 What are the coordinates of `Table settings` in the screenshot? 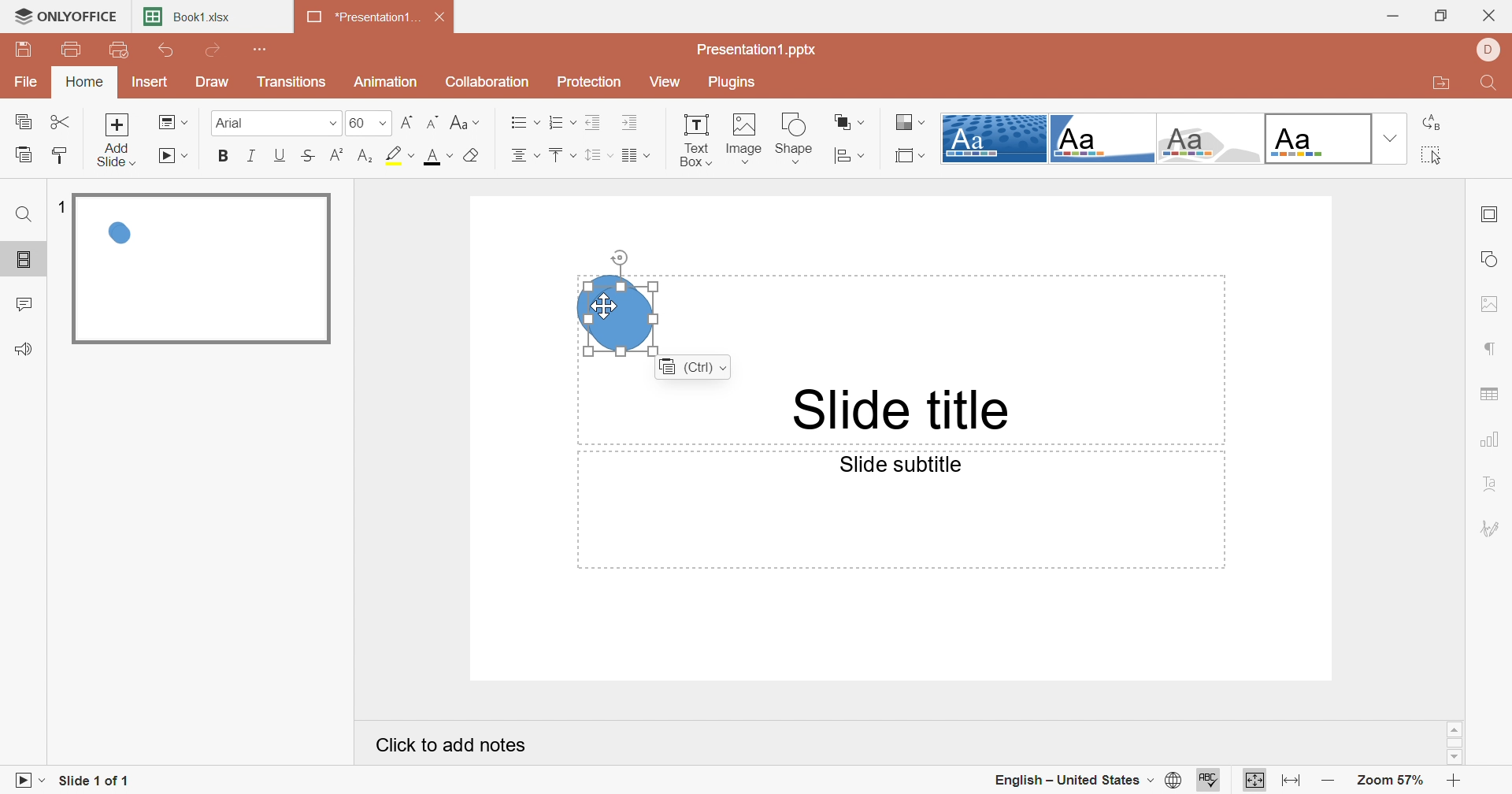 It's located at (1494, 390).